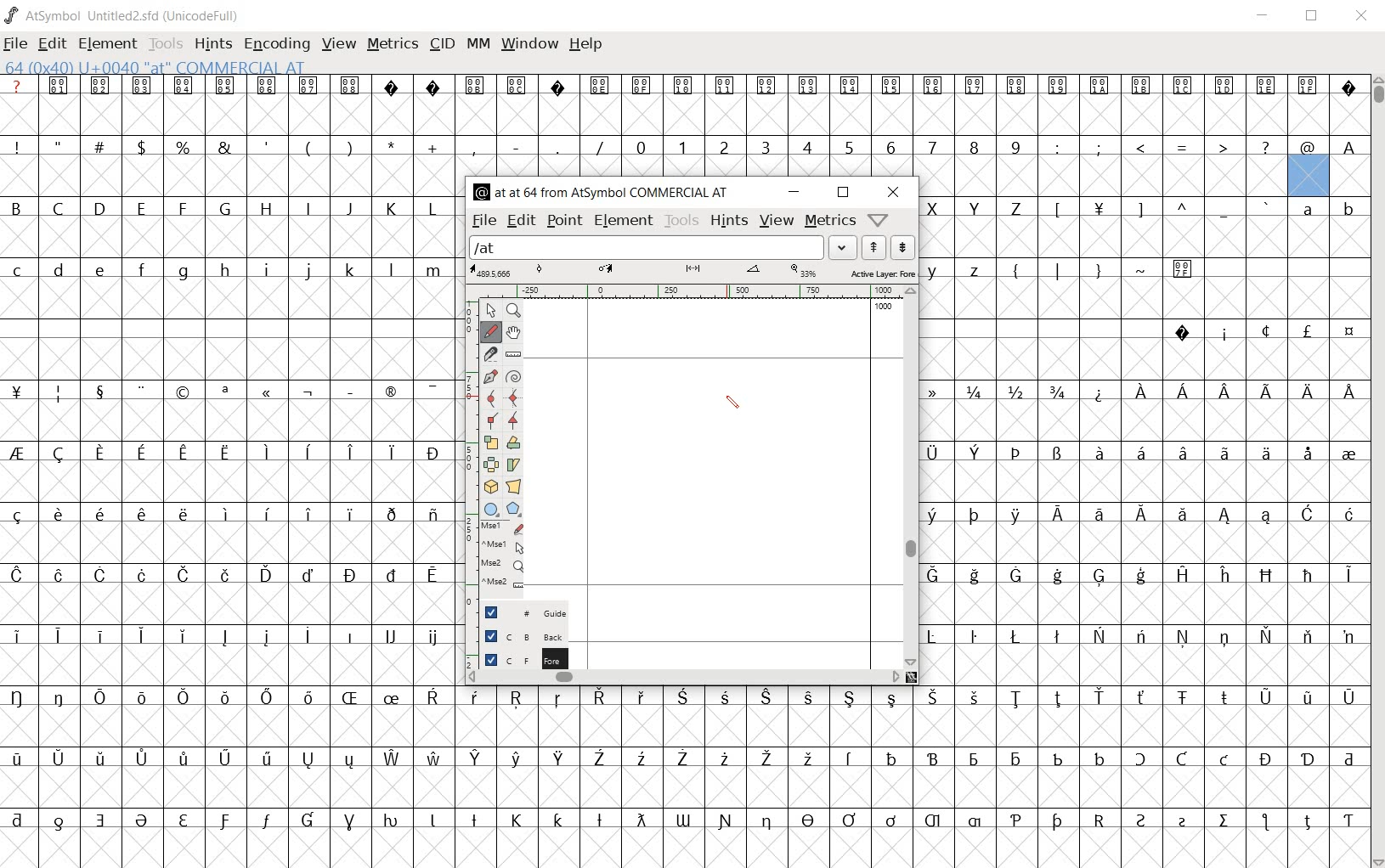  What do you see at coordinates (687, 293) in the screenshot?
I see `ruler` at bounding box center [687, 293].